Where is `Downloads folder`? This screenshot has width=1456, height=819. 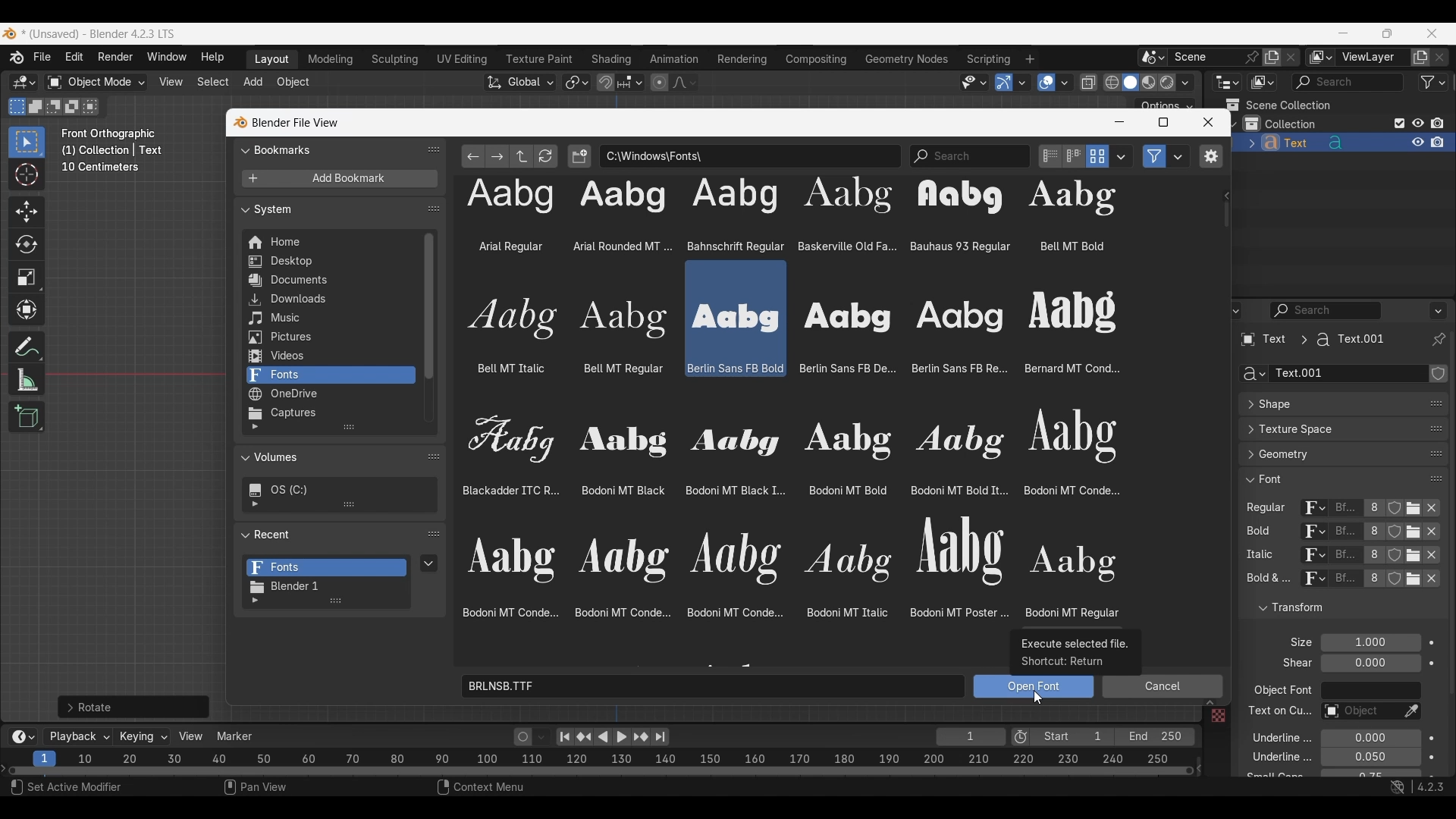
Downloads folder is located at coordinates (329, 300).